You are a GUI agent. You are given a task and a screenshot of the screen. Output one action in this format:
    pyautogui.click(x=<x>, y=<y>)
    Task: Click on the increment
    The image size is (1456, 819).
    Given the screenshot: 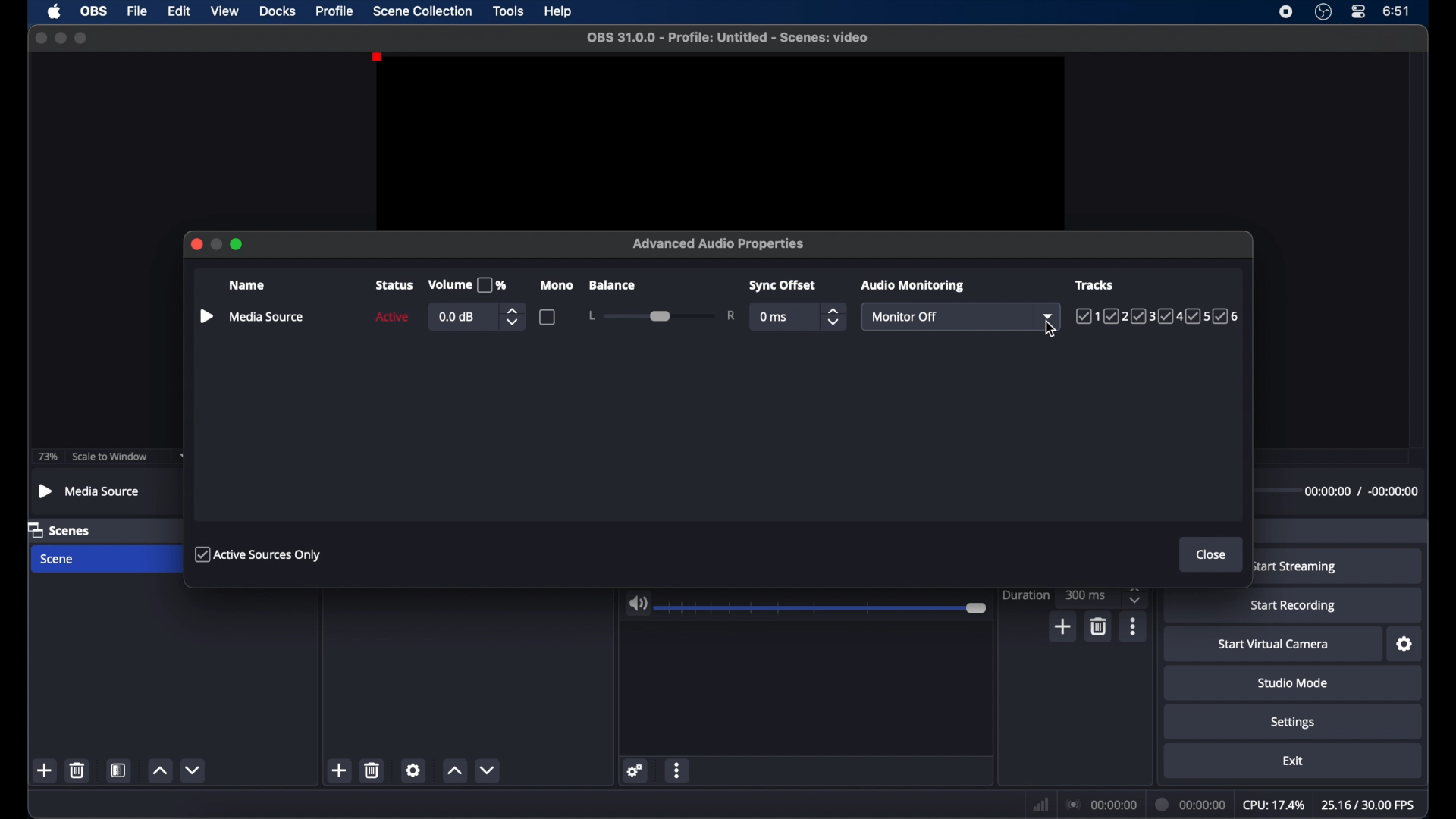 What is the action you would take?
    pyautogui.click(x=454, y=772)
    